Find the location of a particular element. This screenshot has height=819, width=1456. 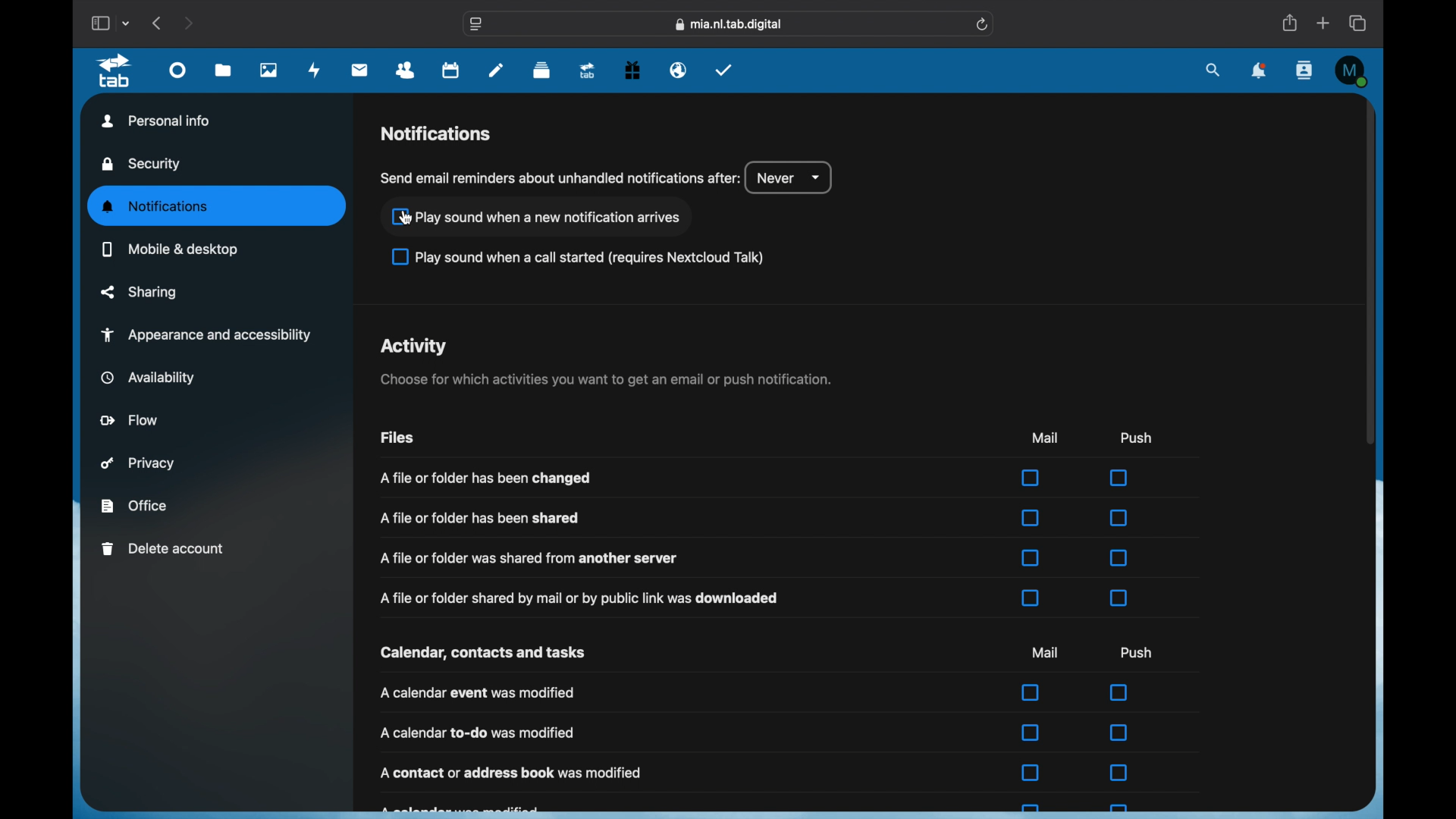

privacy is located at coordinates (140, 463).